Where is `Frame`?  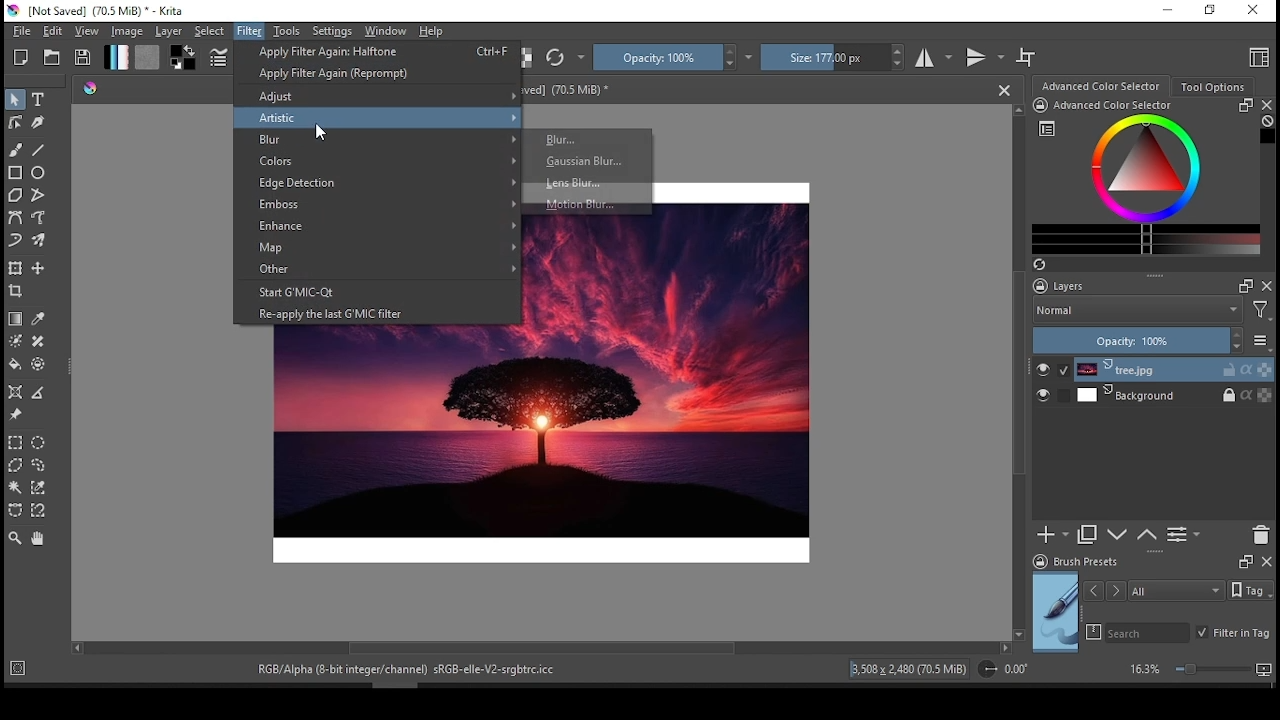
Frame is located at coordinates (1242, 287).